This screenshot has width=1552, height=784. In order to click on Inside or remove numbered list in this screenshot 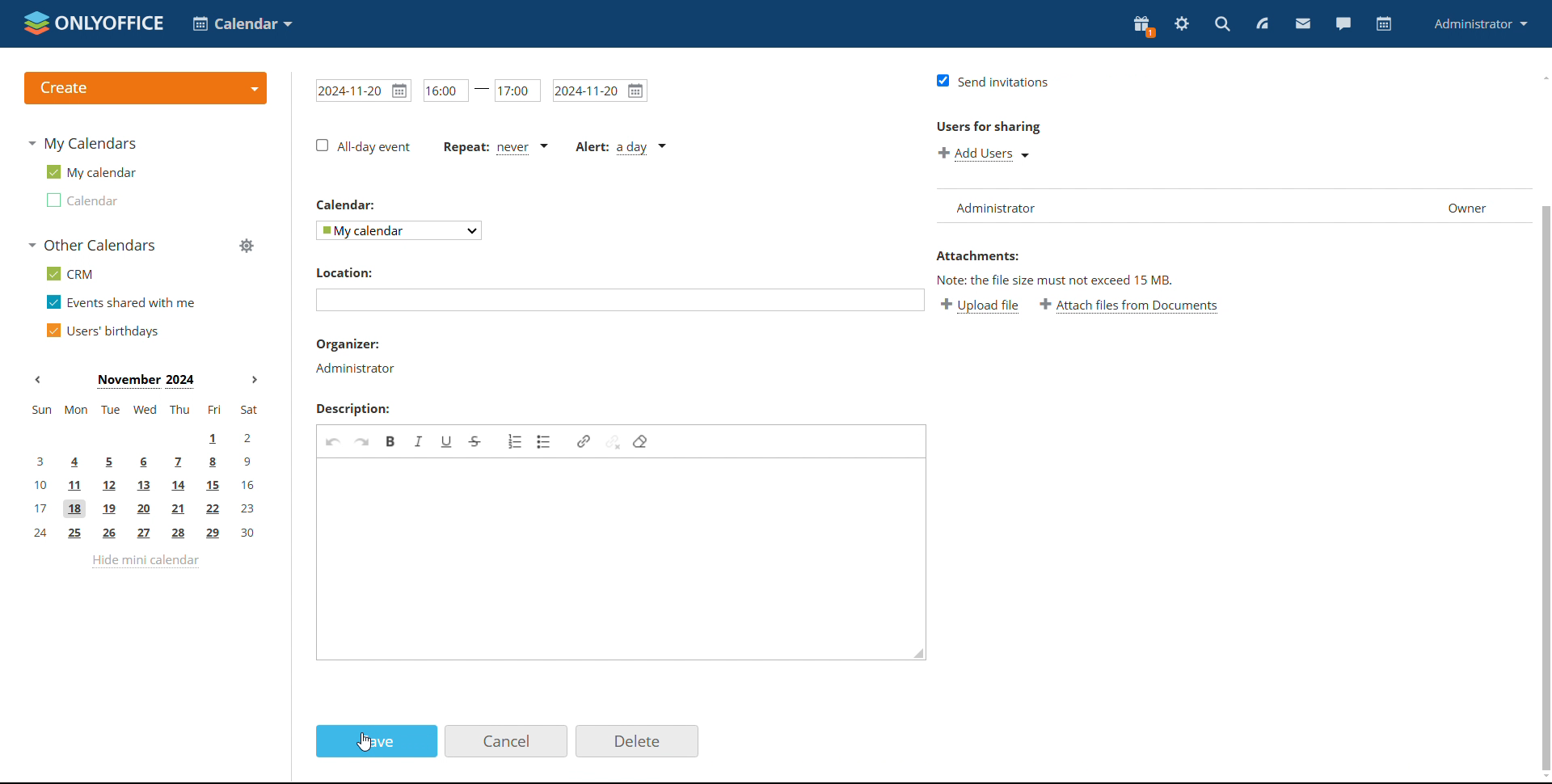, I will do `click(516, 441)`.